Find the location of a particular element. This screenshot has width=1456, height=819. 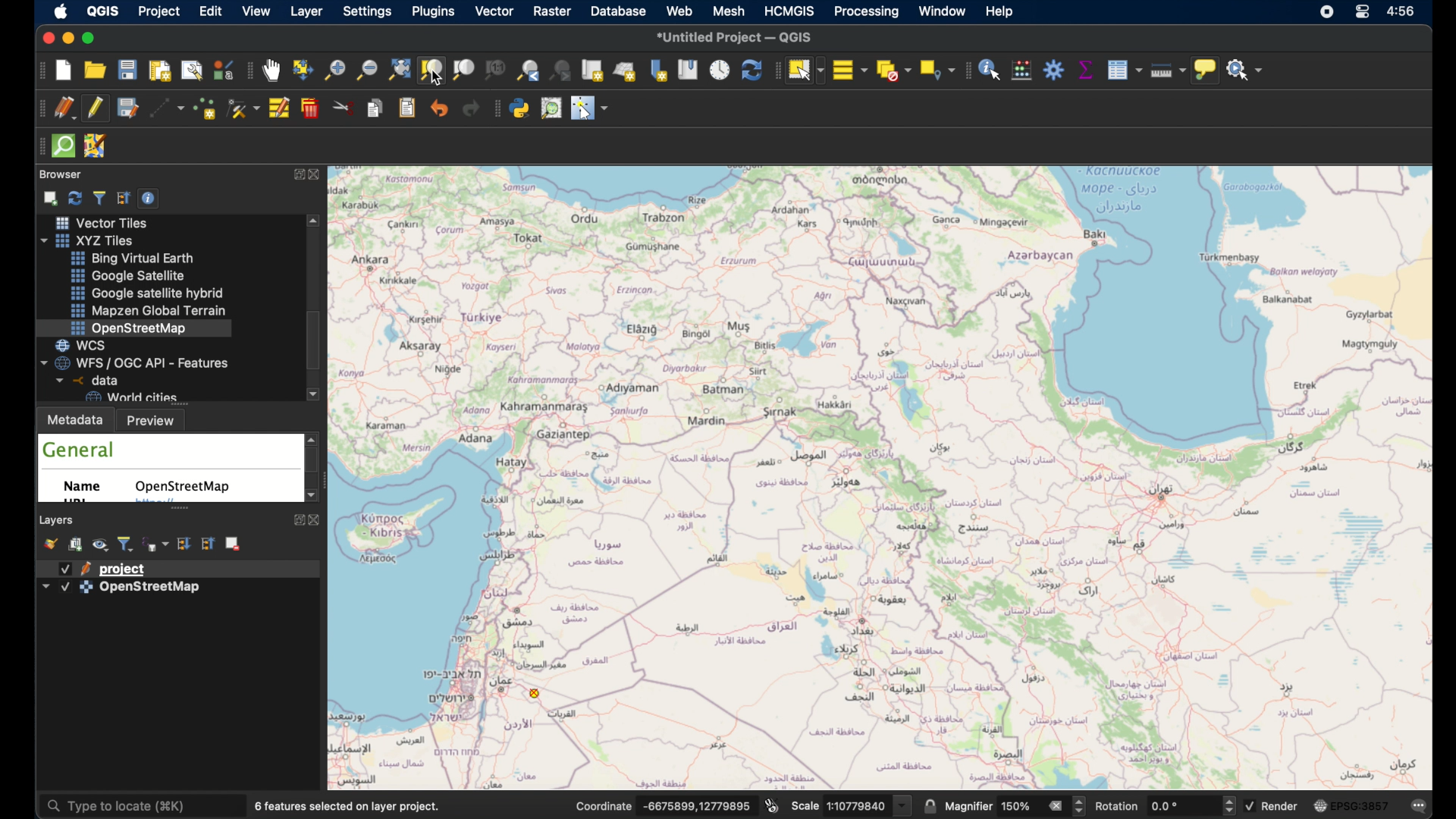

database is located at coordinates (617, 11).